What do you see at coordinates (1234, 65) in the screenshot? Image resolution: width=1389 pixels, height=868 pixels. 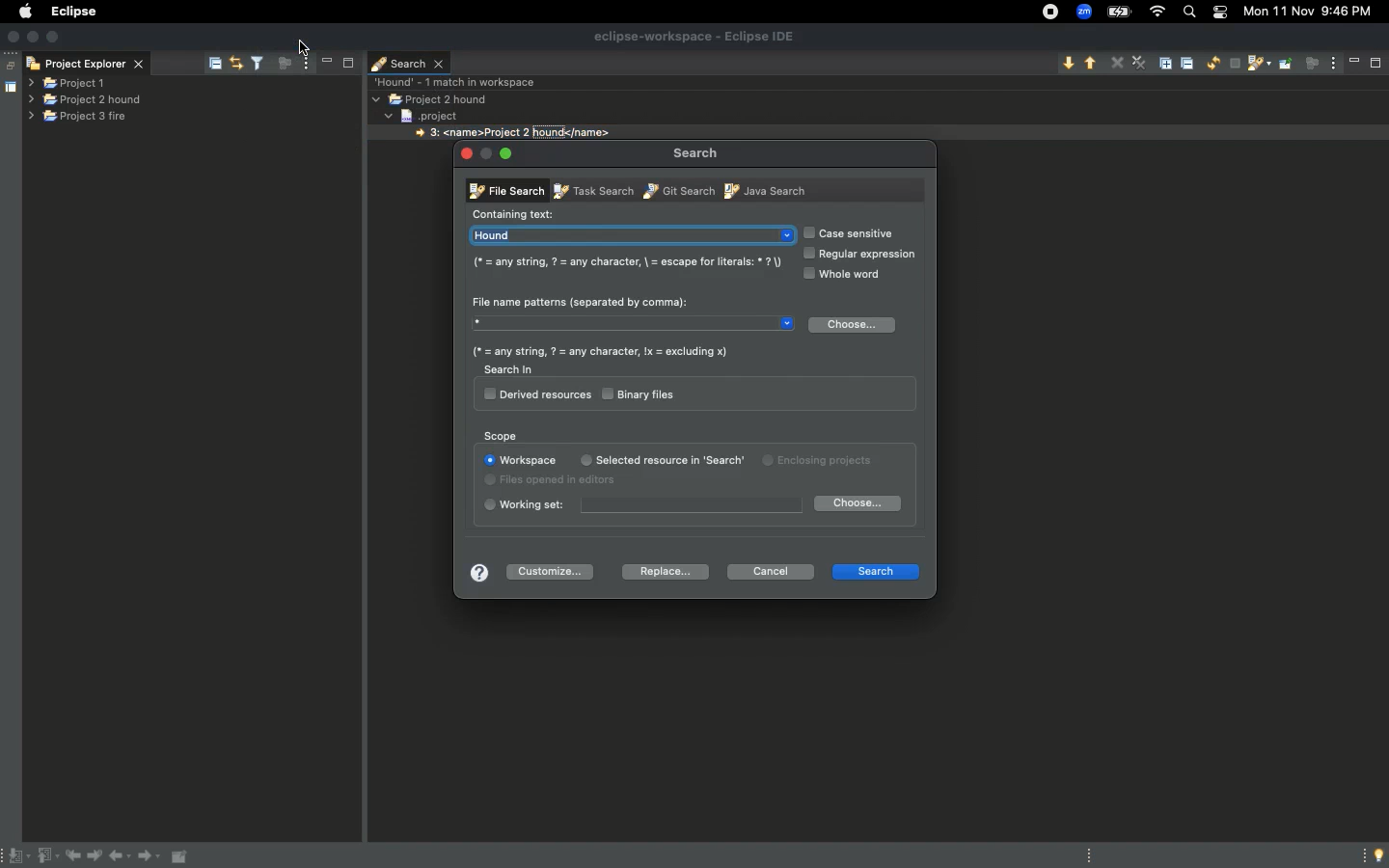 I see `Cancel current search` at bounding box center [1234, 65].